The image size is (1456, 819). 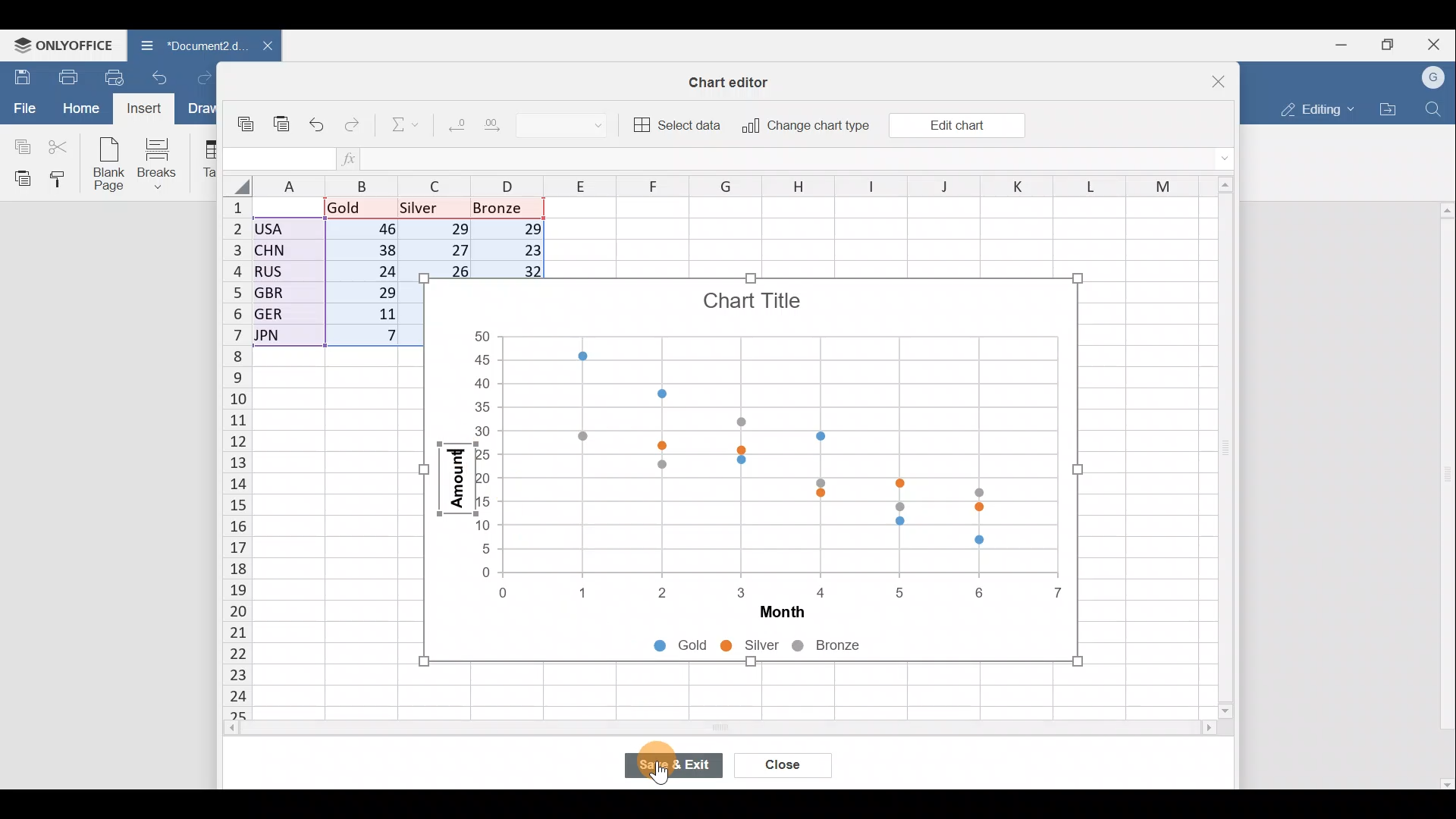 What do you see at coordinates (62, 180) in the screenshot?
I see `Copy style` at bounding box center [62, 180].